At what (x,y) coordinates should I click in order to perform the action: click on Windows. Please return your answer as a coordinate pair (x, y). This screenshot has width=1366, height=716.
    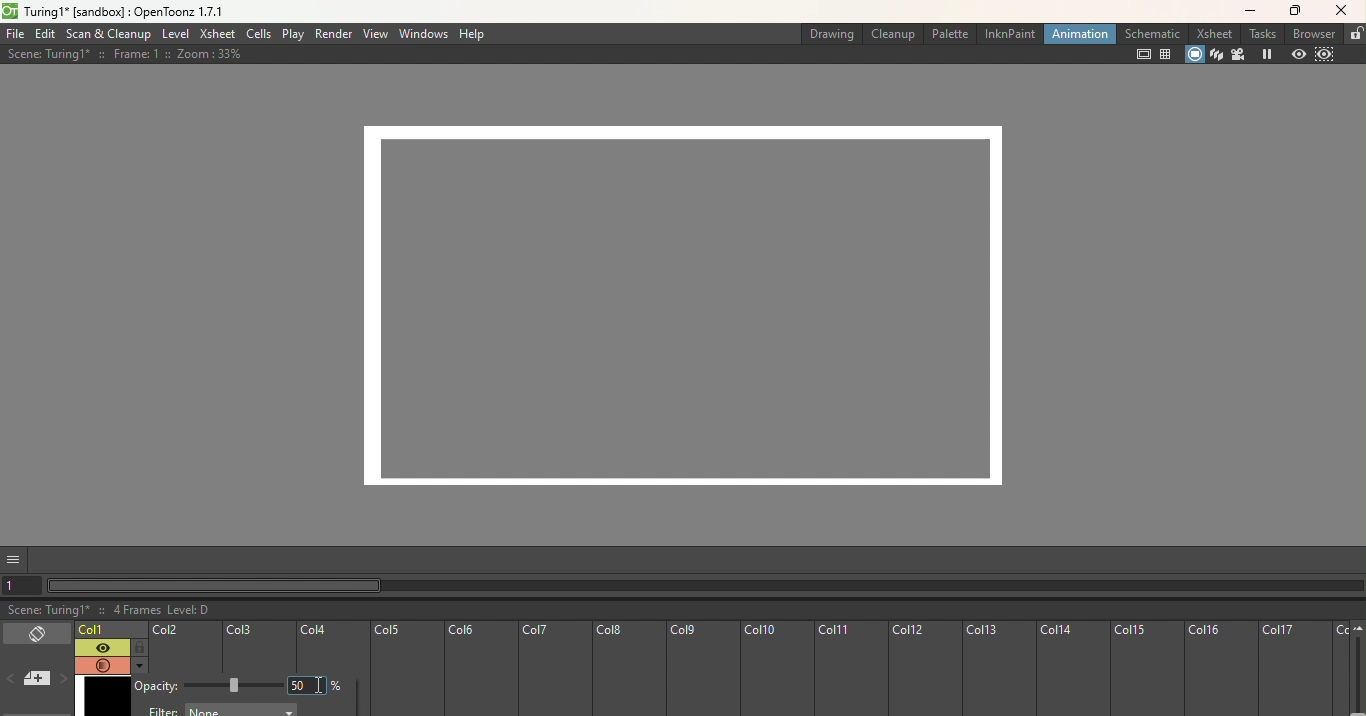
    Looking at the image, I should click on (422, 35).